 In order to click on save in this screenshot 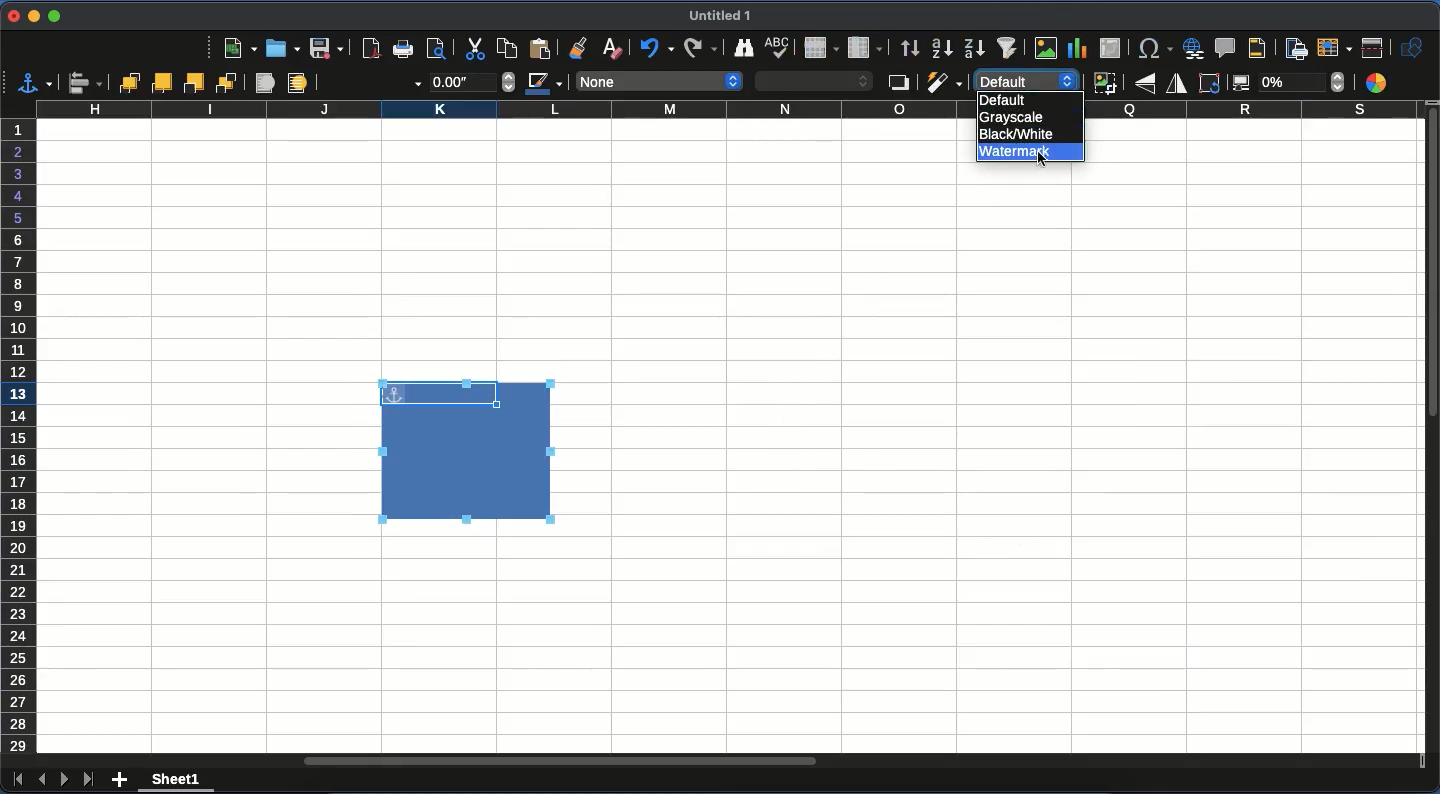, I will do `click(327, 49)`.